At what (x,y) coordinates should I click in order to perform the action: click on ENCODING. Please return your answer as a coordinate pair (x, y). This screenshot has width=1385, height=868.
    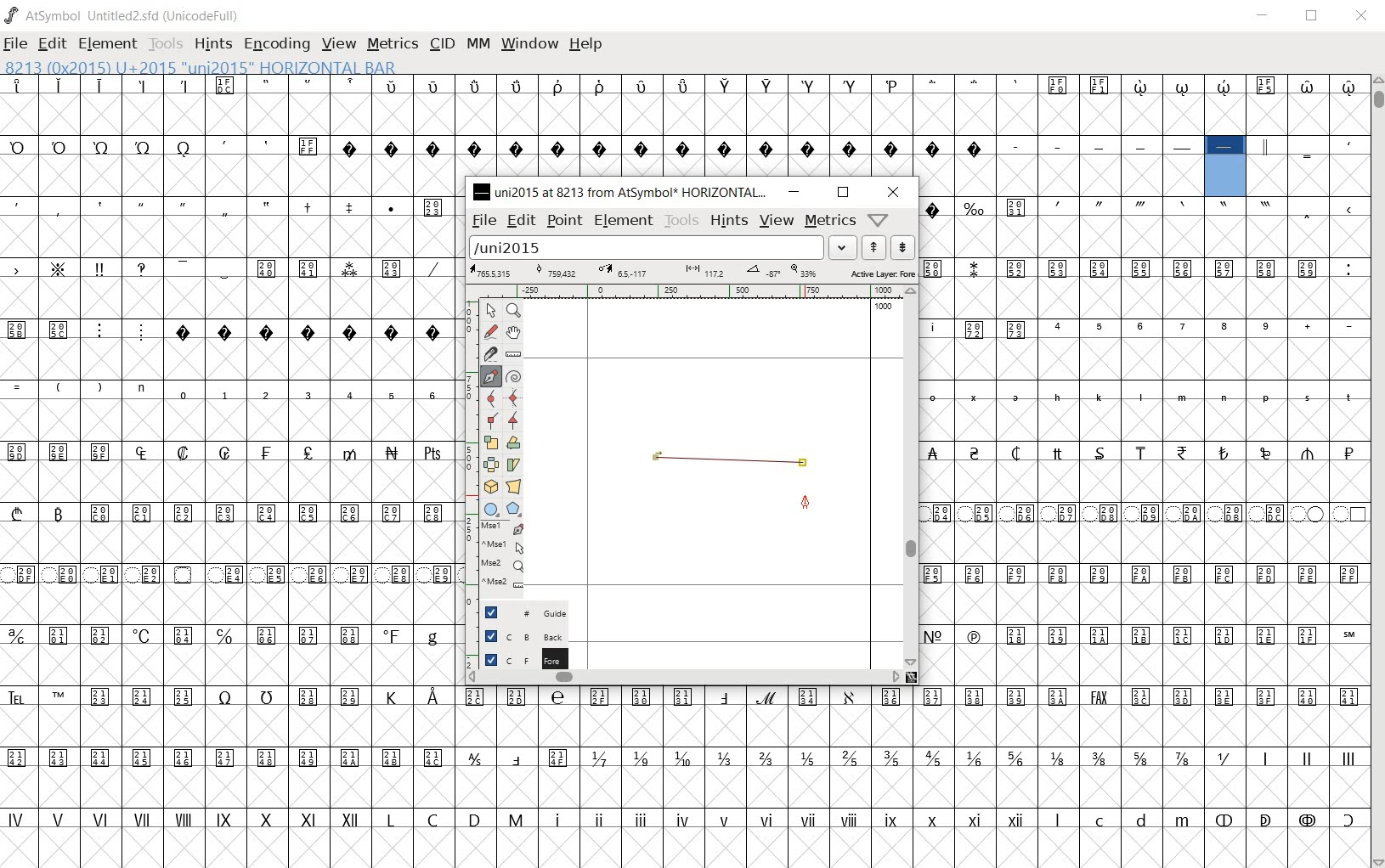
    Looking at the image, I should click on (277, 44).